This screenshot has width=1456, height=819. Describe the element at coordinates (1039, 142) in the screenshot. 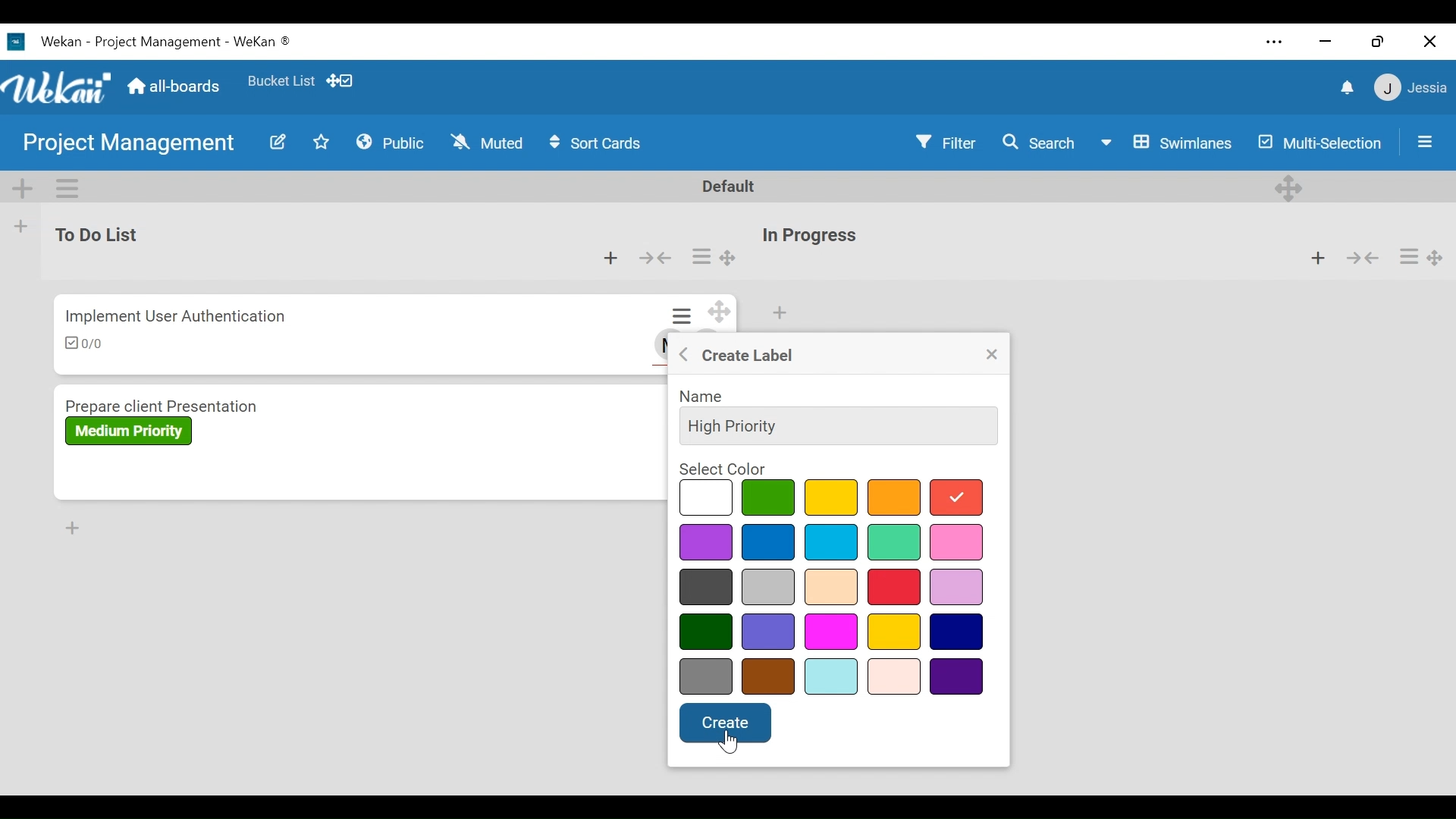

I see `Search` at that location.